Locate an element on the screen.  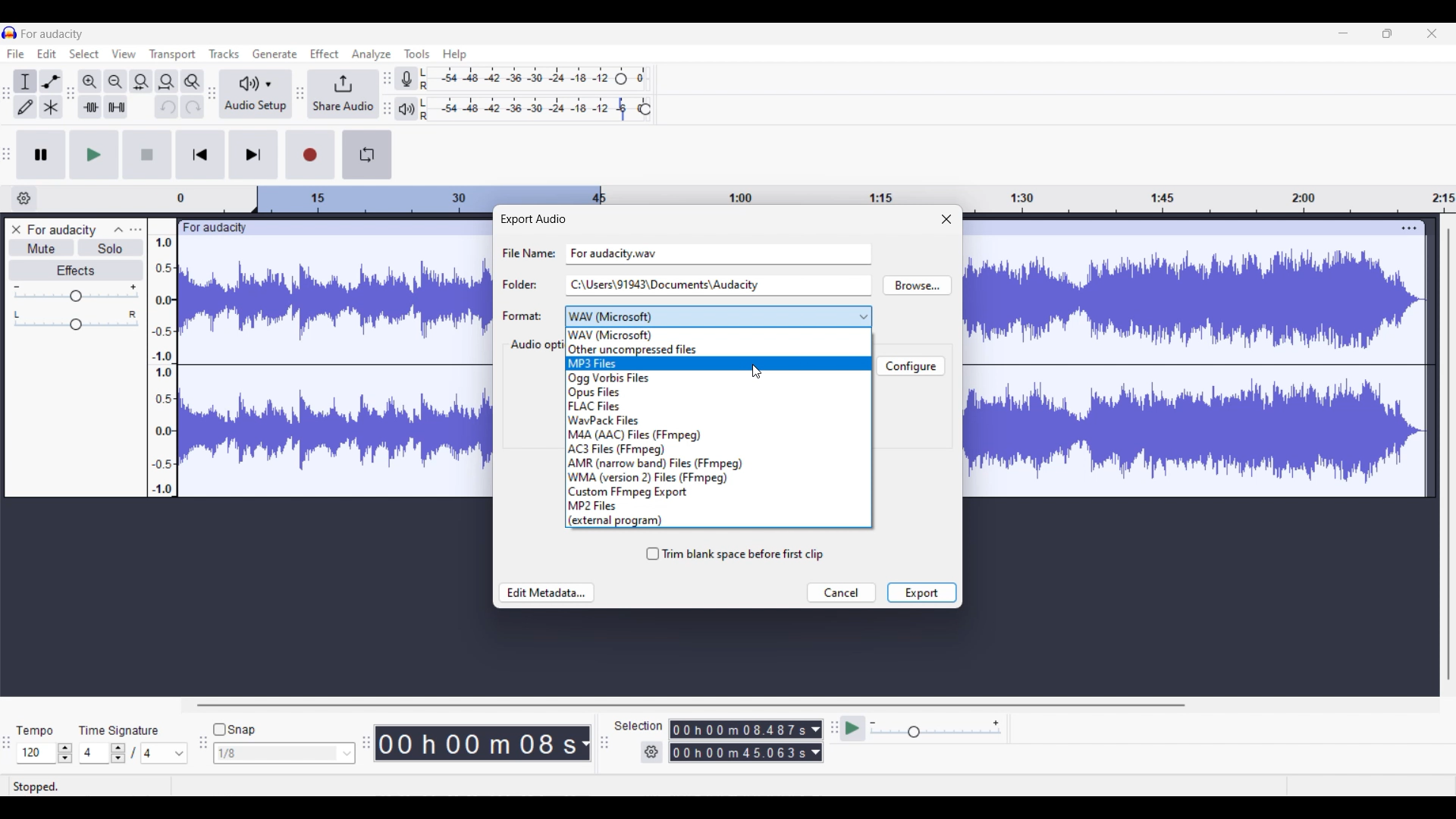
WavPack Files is located at coordinates (719, 419).